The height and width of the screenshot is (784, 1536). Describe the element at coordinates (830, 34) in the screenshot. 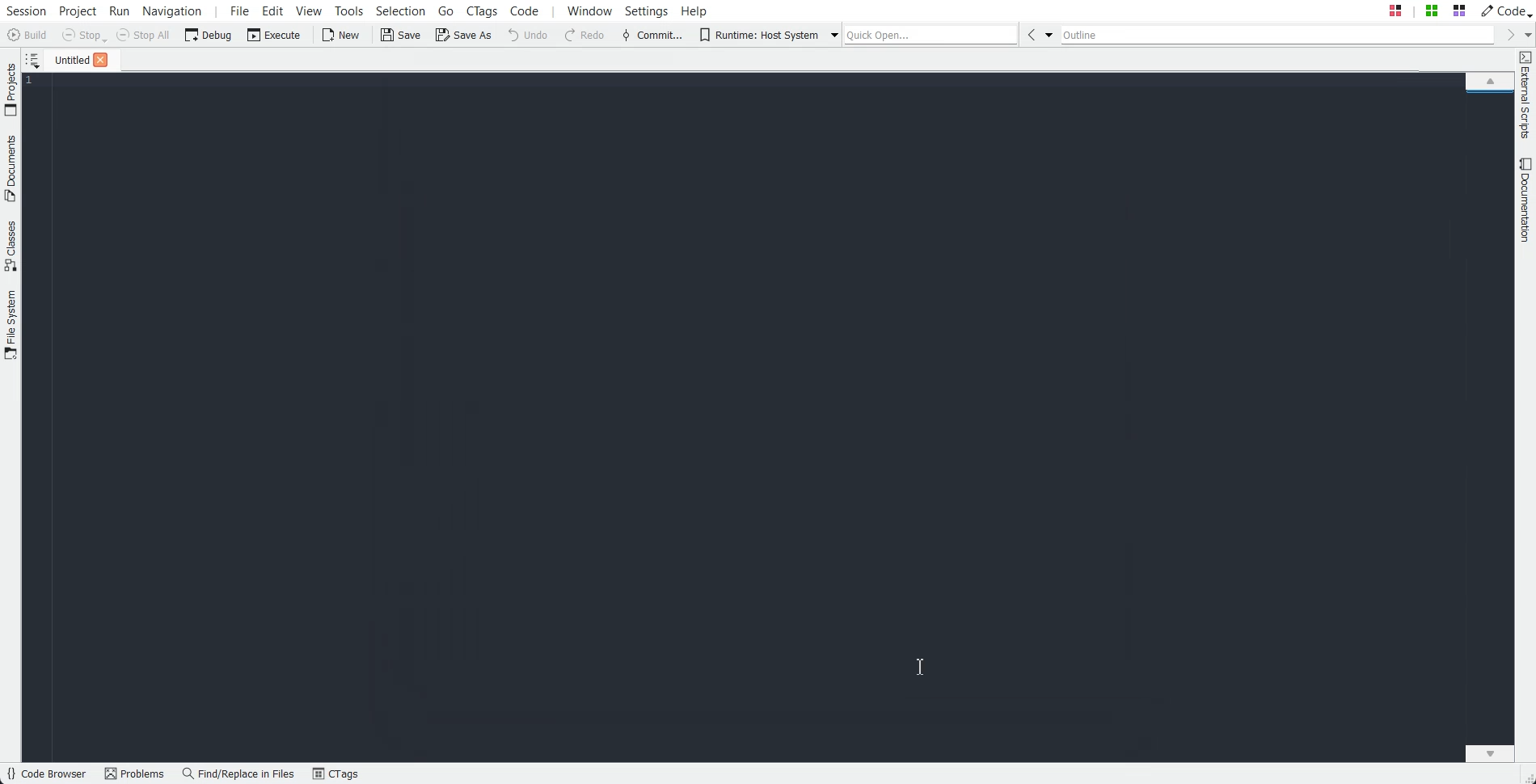

I see `Drop down box` at that location.